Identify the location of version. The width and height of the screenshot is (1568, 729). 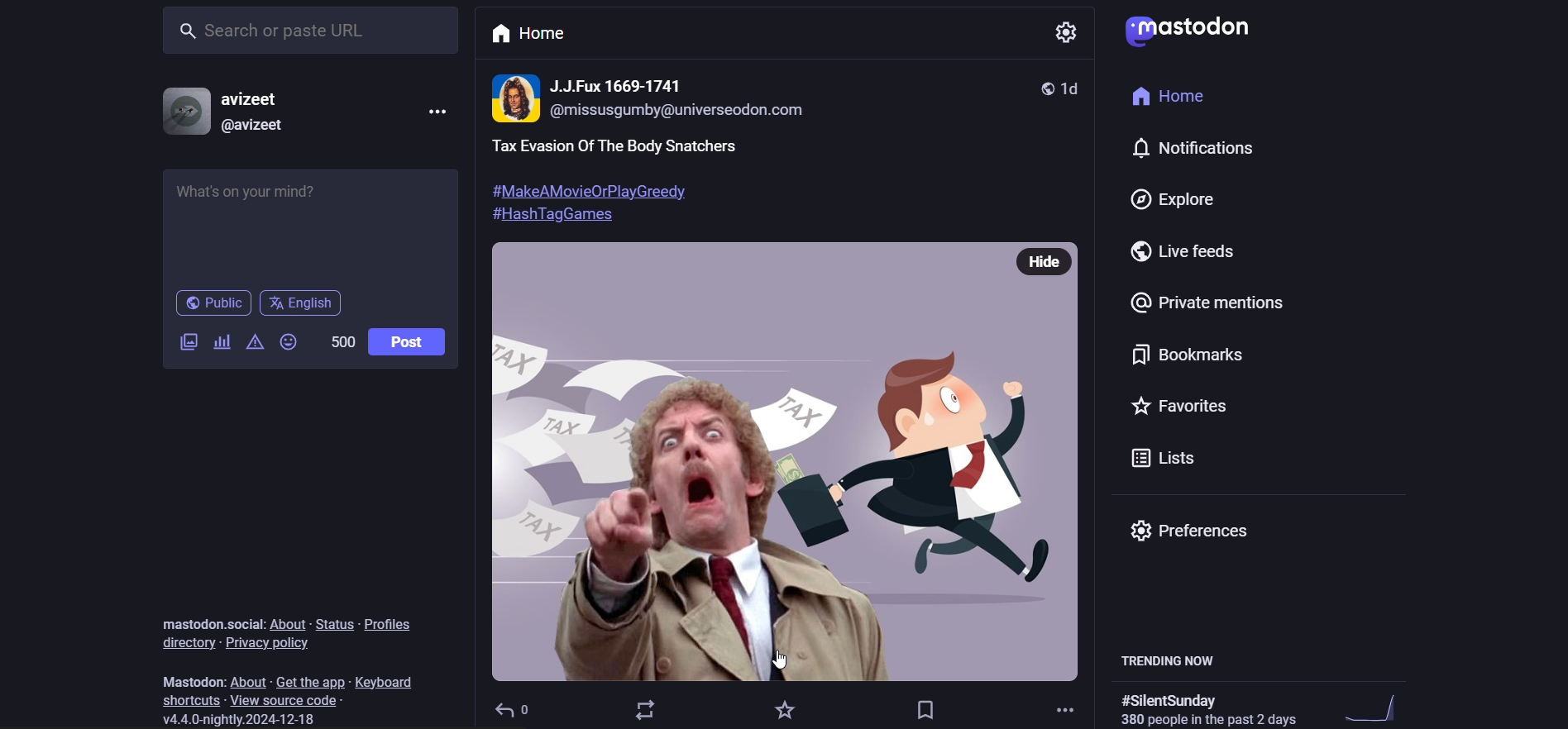
(240, 717).